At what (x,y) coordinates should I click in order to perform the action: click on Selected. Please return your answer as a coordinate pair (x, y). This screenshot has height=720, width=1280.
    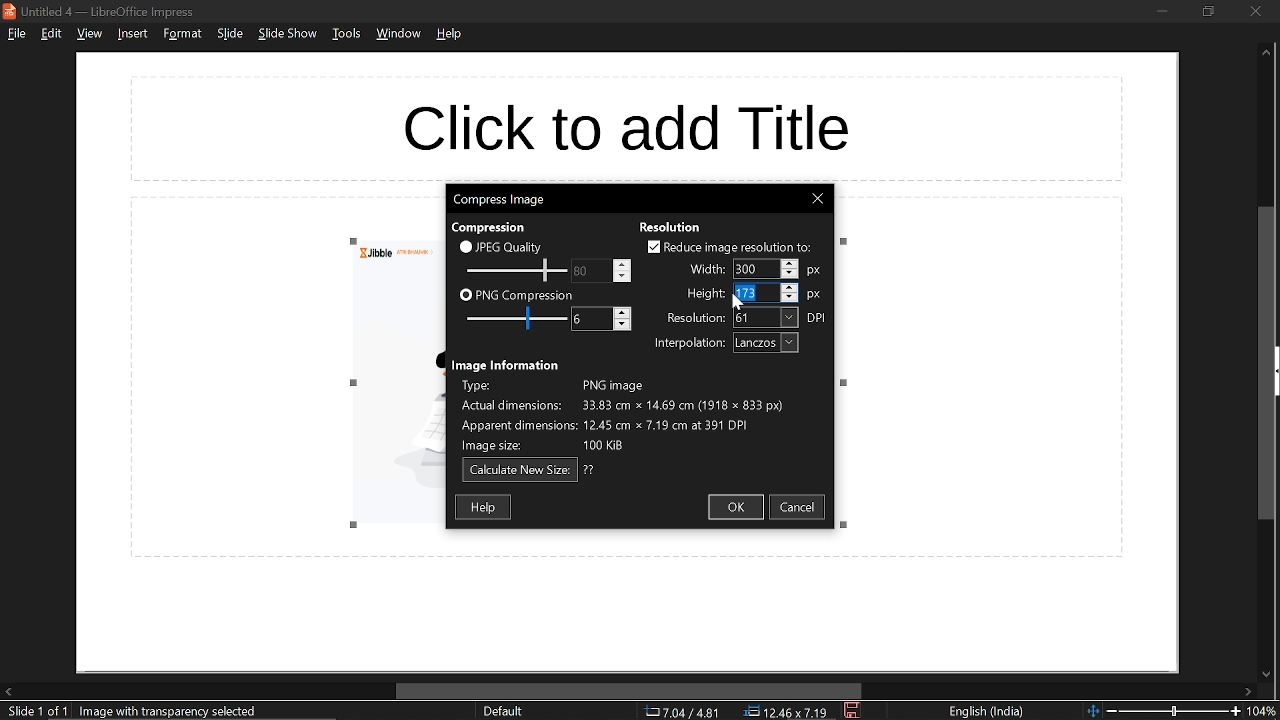
    Looking at the image, I should click on (749, 269).